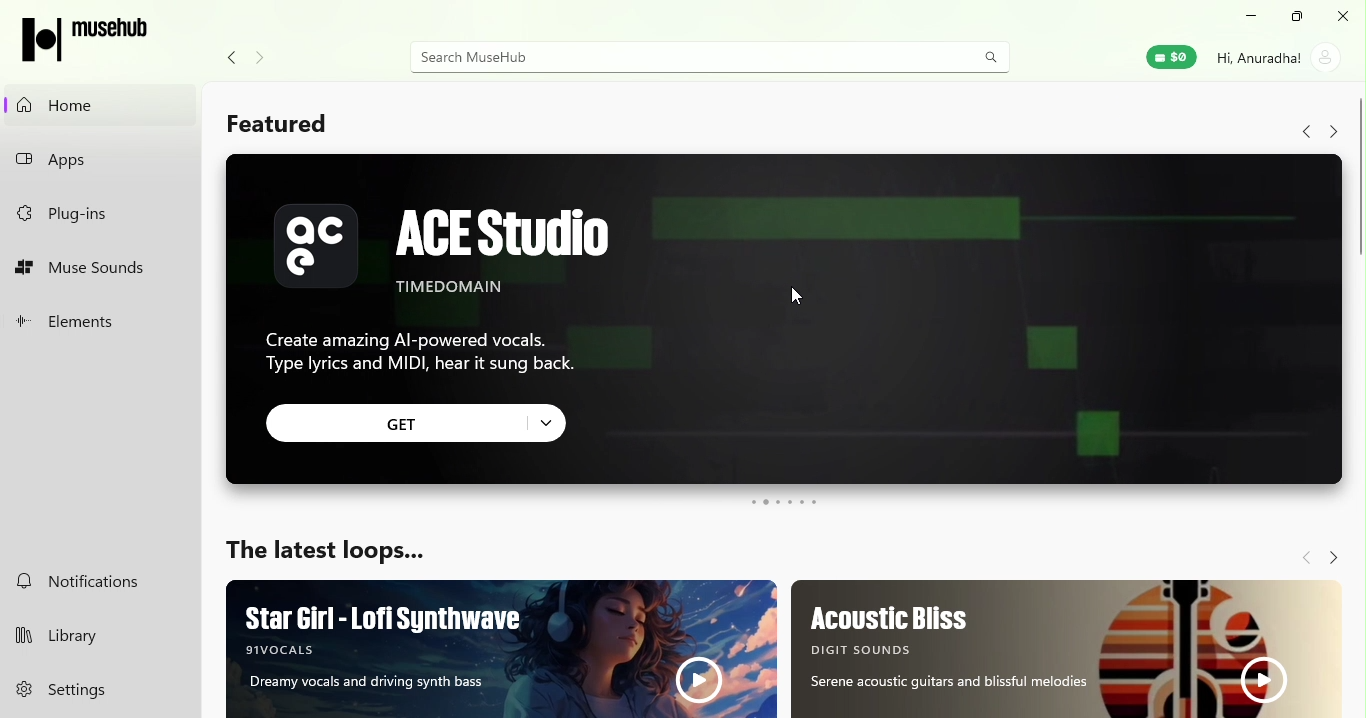  I want to click on maximize, so click(1299, 17).